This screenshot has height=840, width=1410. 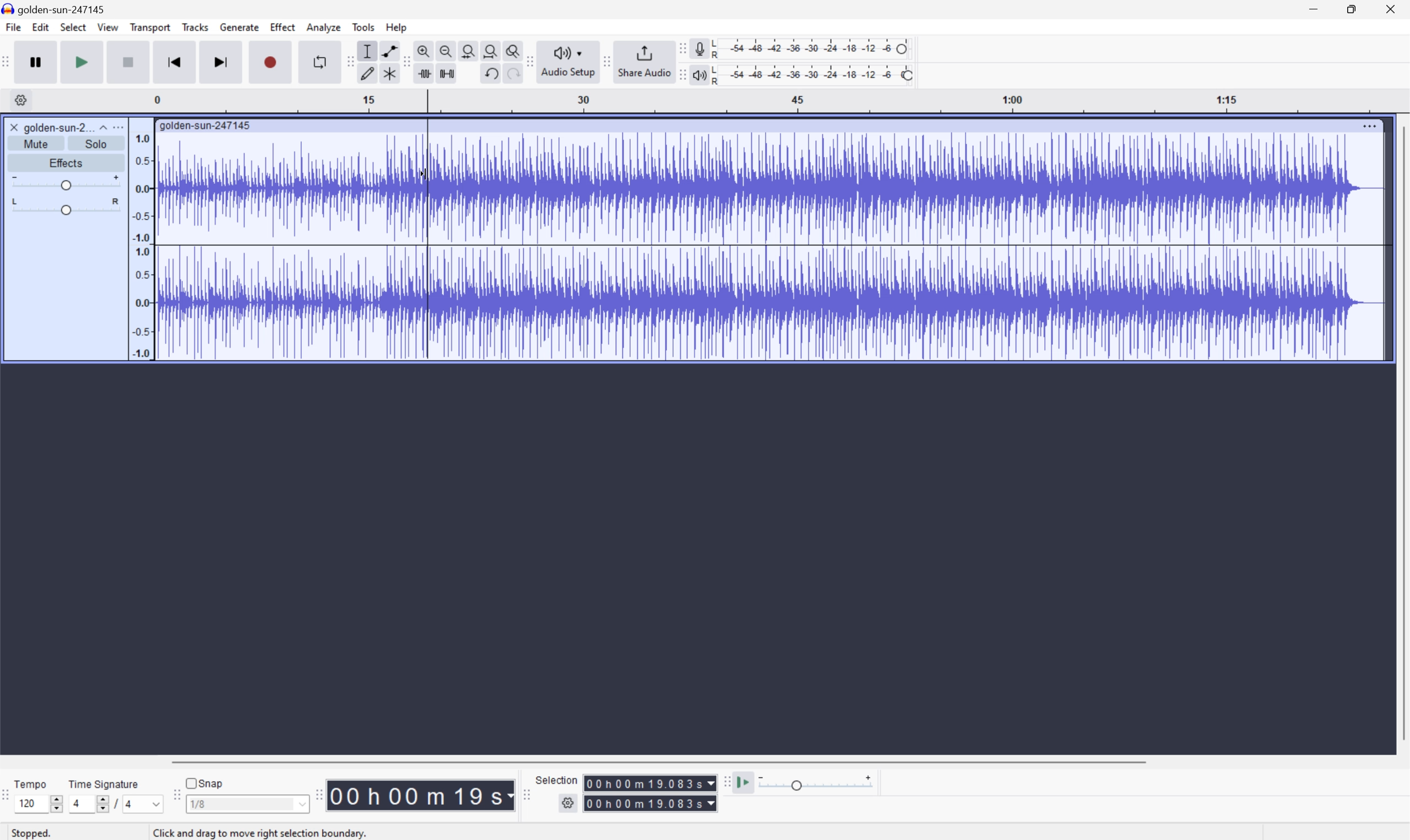 I want to click on Recording level: 62%, so click(x=814, y=48).